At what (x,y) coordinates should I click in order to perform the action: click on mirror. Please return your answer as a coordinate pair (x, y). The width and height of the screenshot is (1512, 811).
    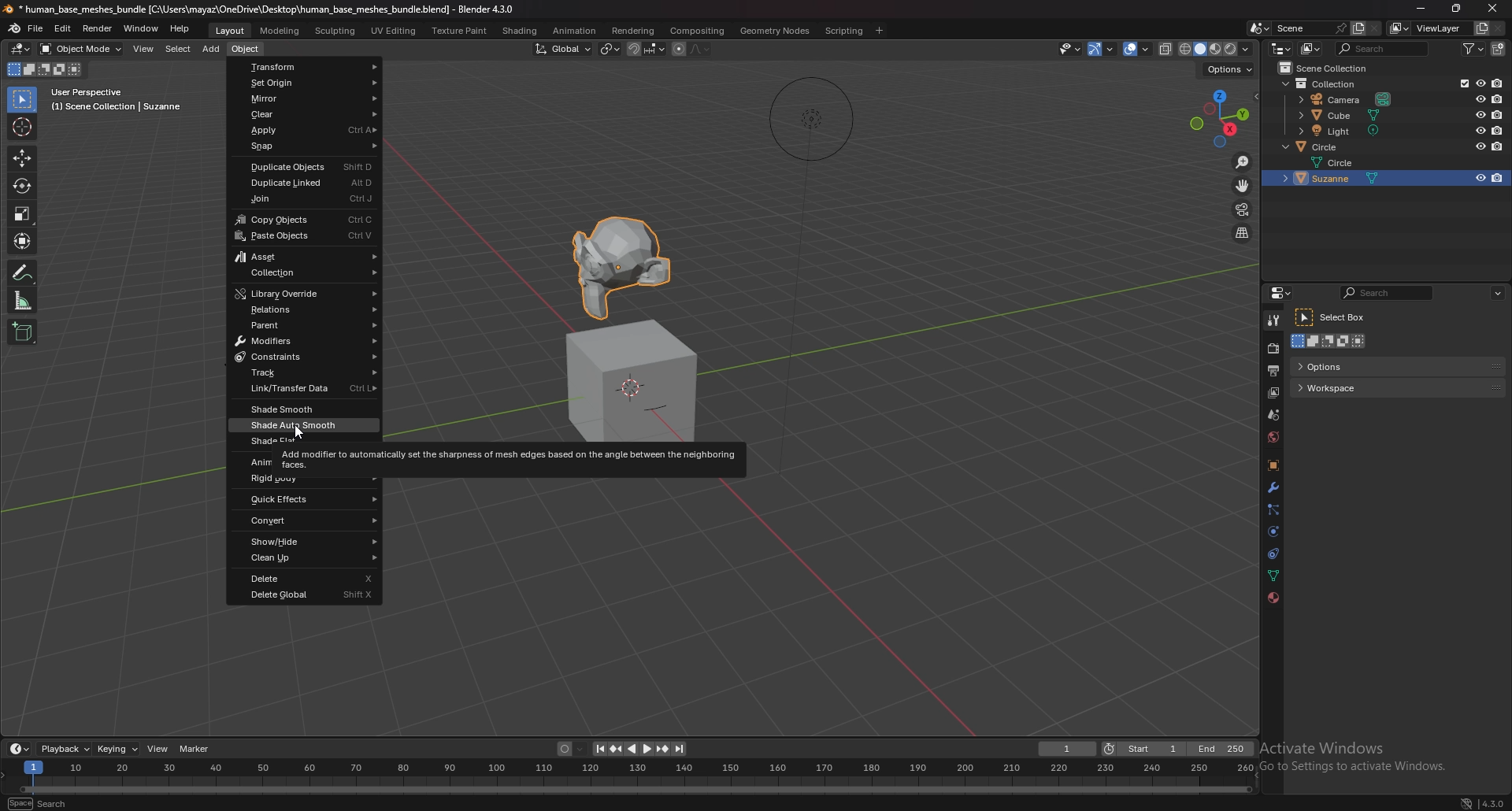
    Looking at the image, I should click on (306, 98).